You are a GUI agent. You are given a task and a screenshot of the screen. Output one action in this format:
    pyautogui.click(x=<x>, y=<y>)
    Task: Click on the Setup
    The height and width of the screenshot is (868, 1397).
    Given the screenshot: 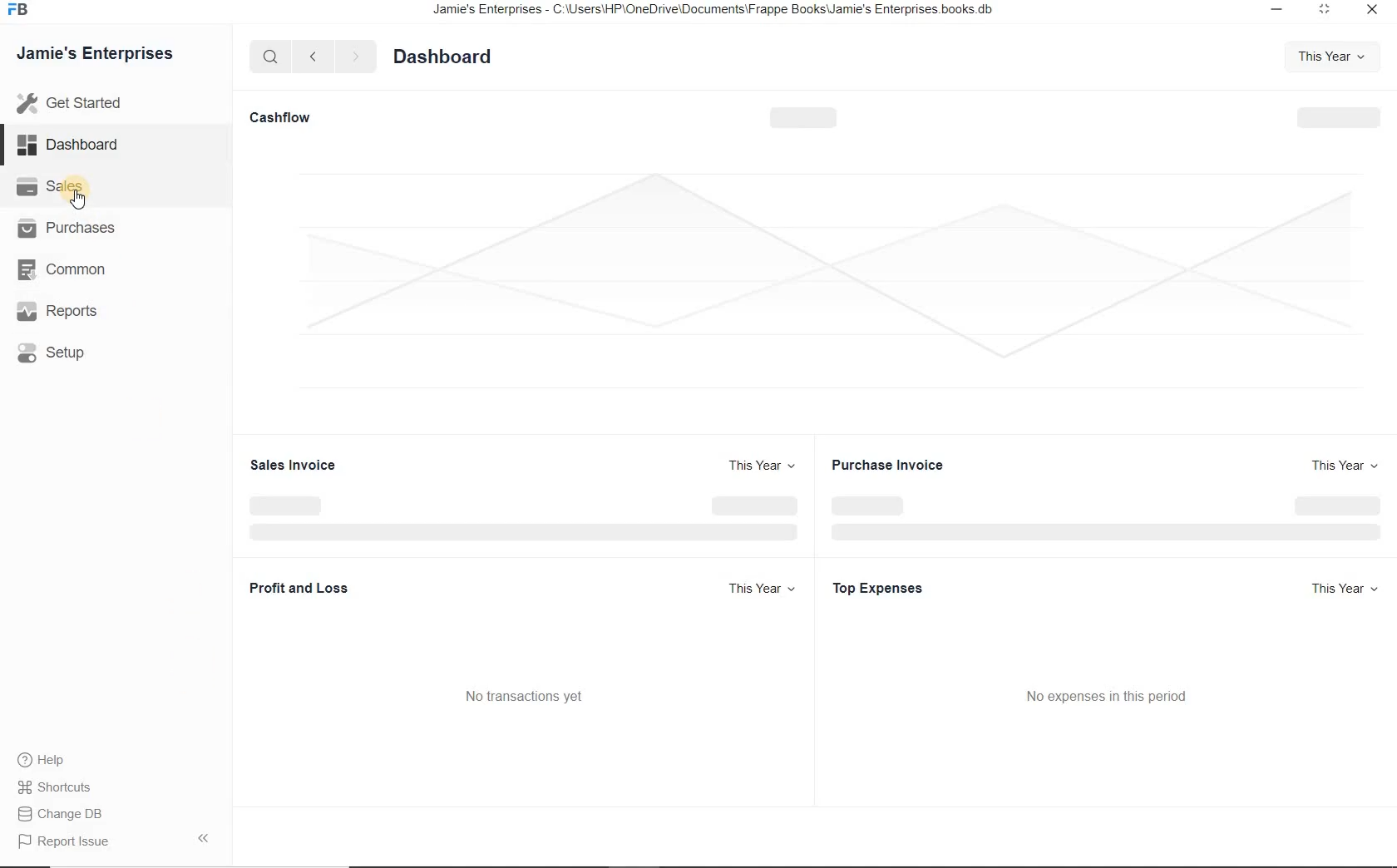 What is the action you would take?
    pyautogui.click(x=70, y=353)
    